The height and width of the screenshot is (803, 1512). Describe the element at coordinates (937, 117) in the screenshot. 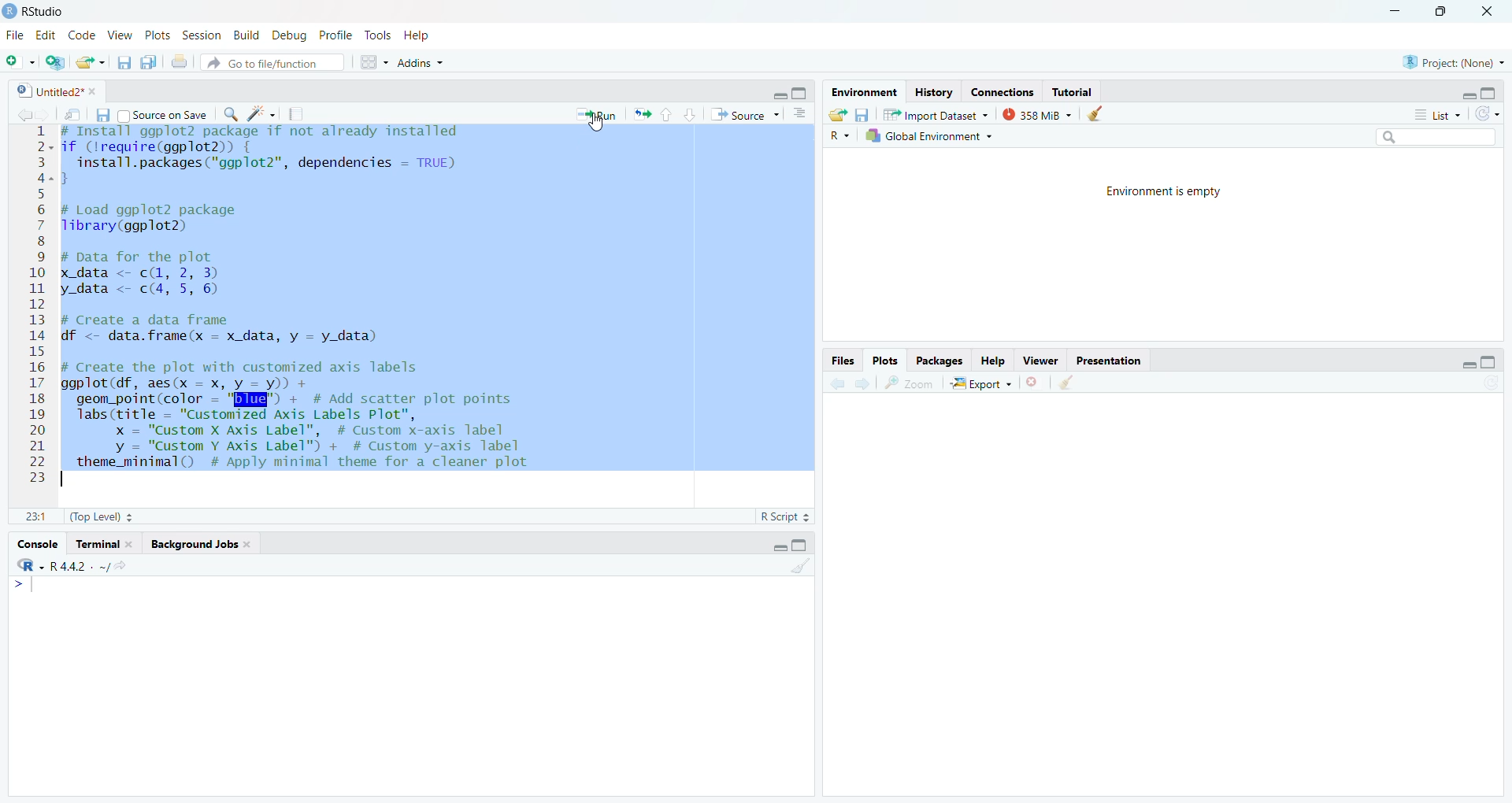

I see `Import Dataset ~` at that location.